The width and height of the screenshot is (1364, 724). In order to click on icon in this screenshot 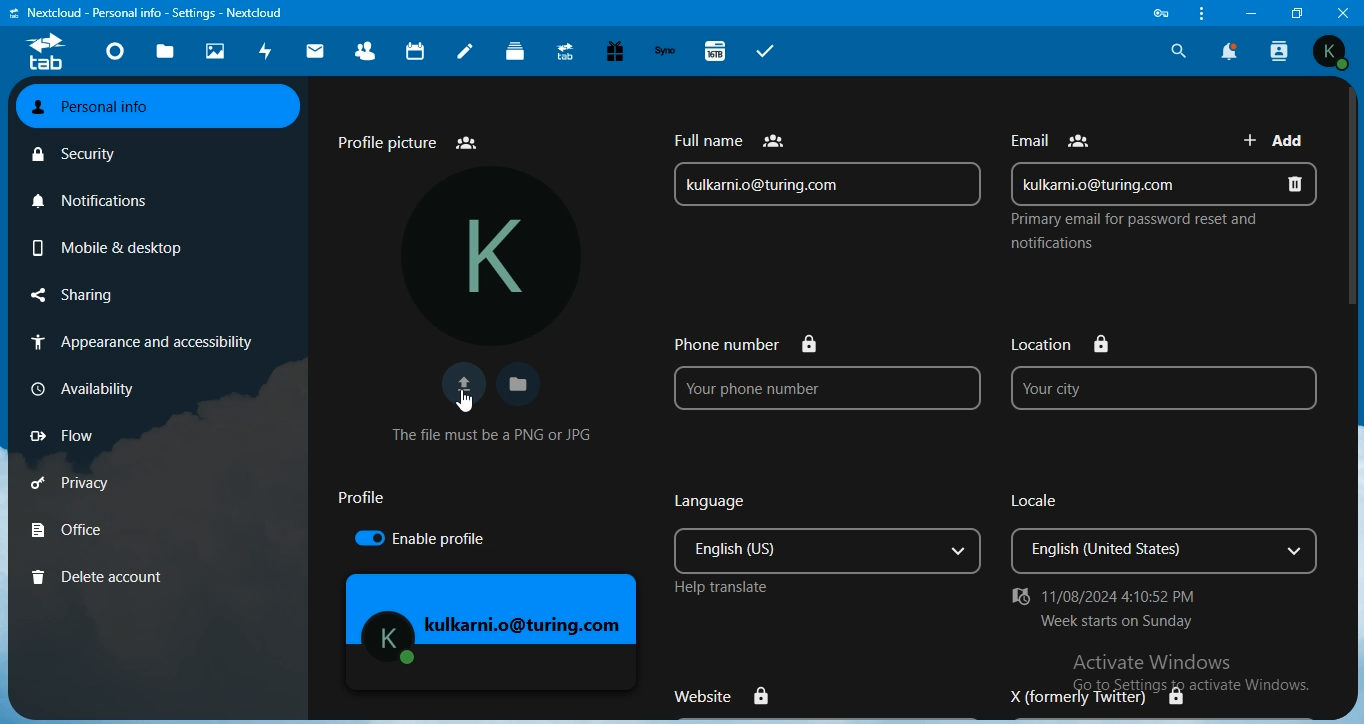, I will do `click(1164, 13)`.